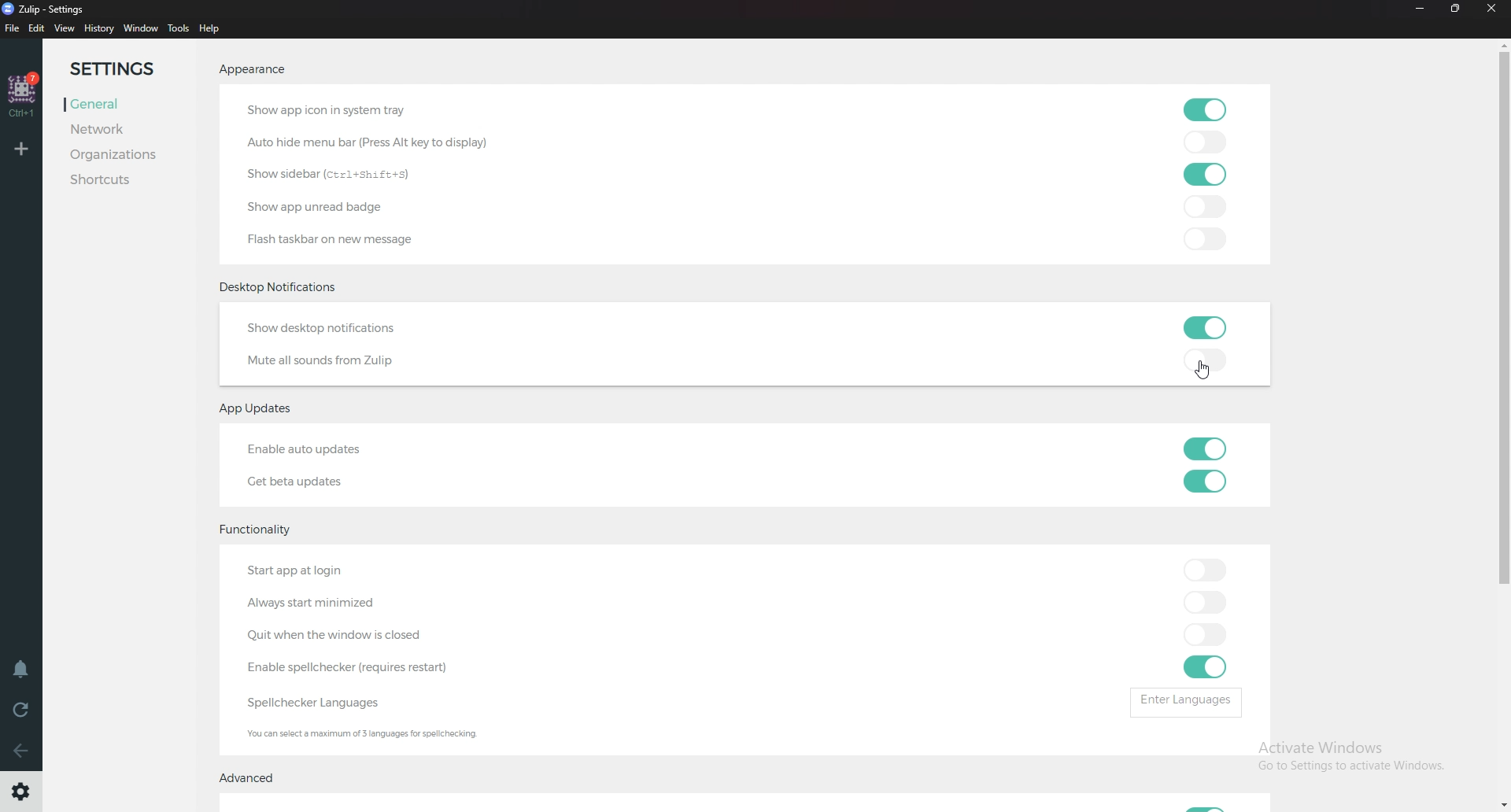 The width and height of the screenshot is (1511, 812). I want to click on Tools, so click(178, 28).